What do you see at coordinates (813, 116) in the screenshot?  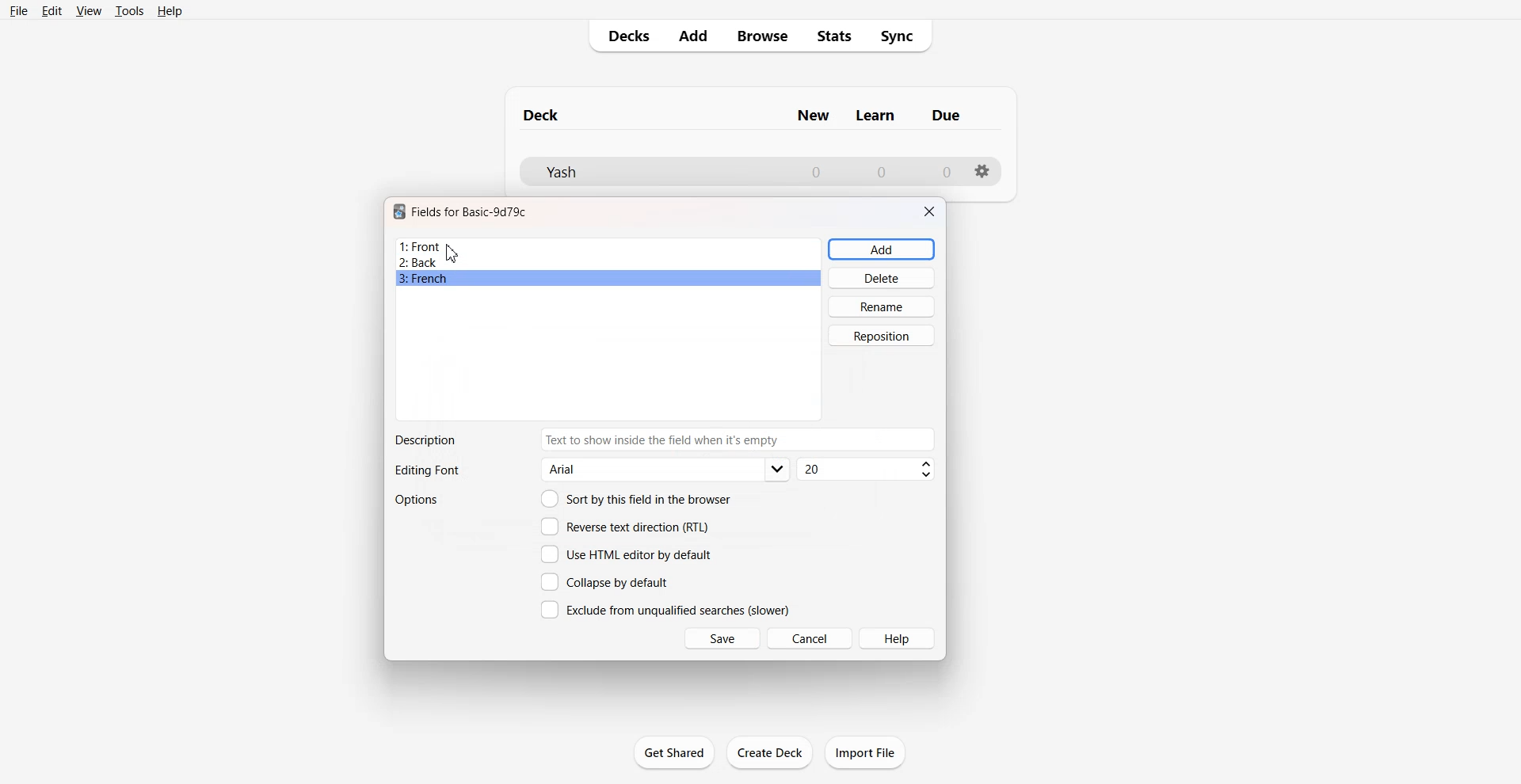 I see `Column name` at bounding box center [813, 116].